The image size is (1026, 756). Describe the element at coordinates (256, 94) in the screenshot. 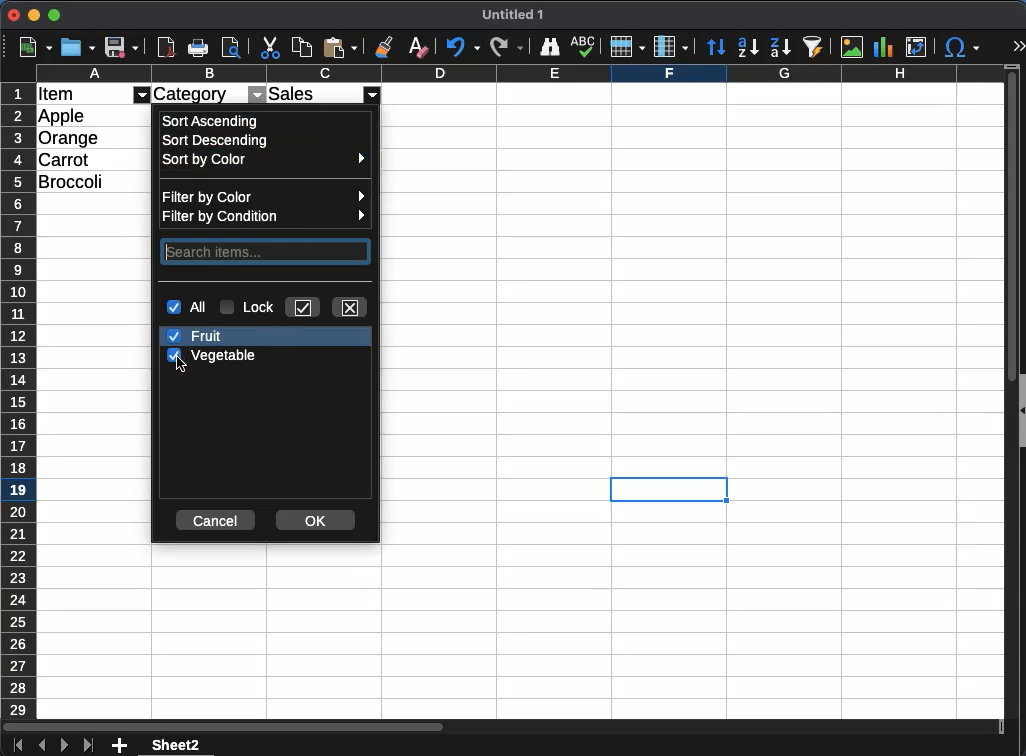

I see `fitler` at that location.